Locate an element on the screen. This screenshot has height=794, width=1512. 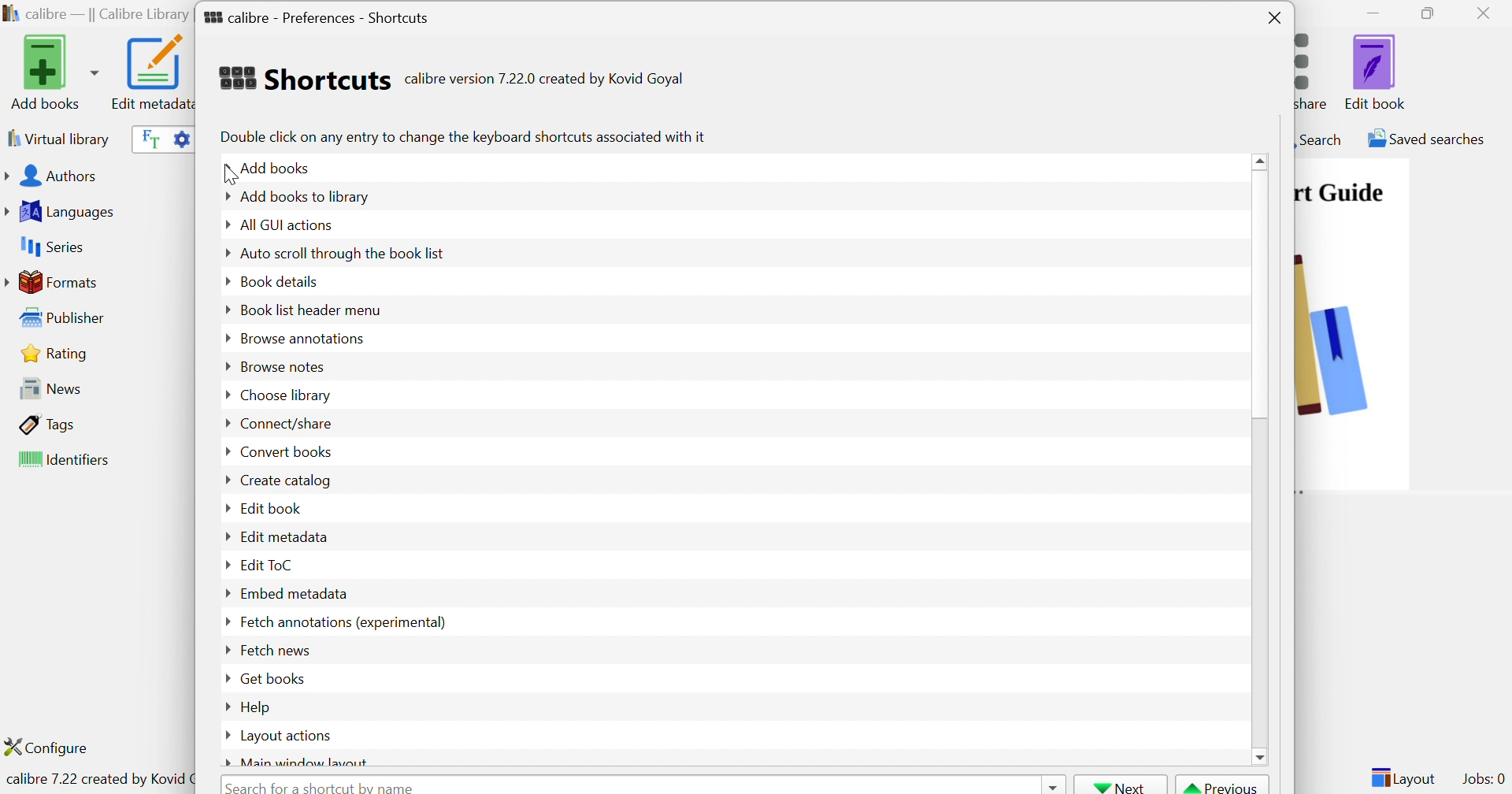
All GUI actions is located at coordinates (284, 224).